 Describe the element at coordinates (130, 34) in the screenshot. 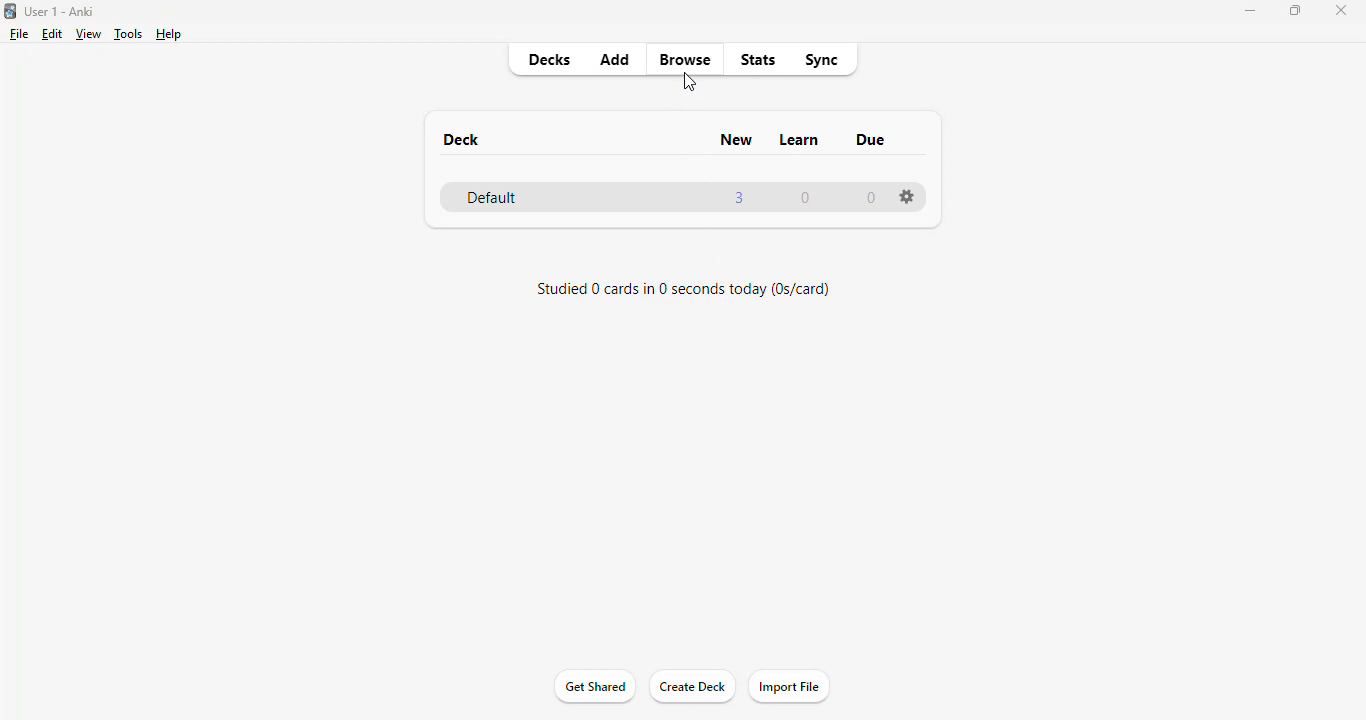

I see `tools` at that location.